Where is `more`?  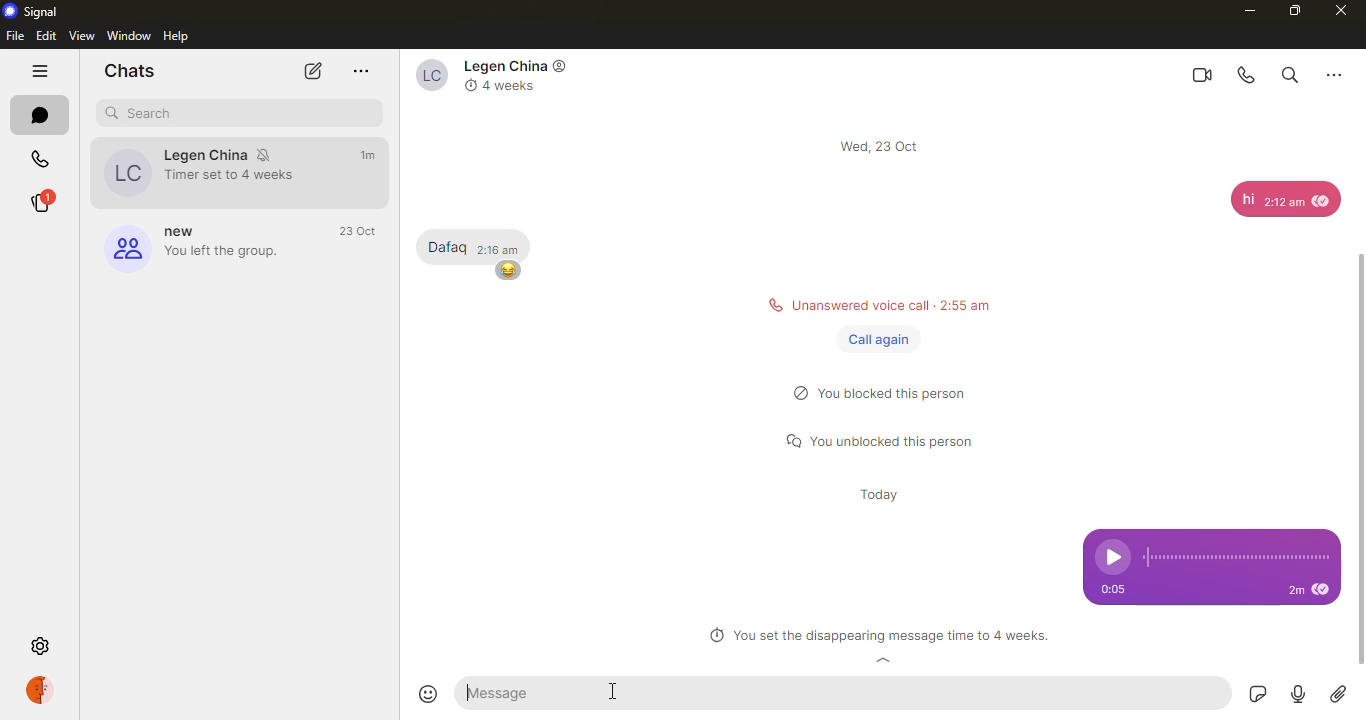
more is located at coordinates (362, 71).